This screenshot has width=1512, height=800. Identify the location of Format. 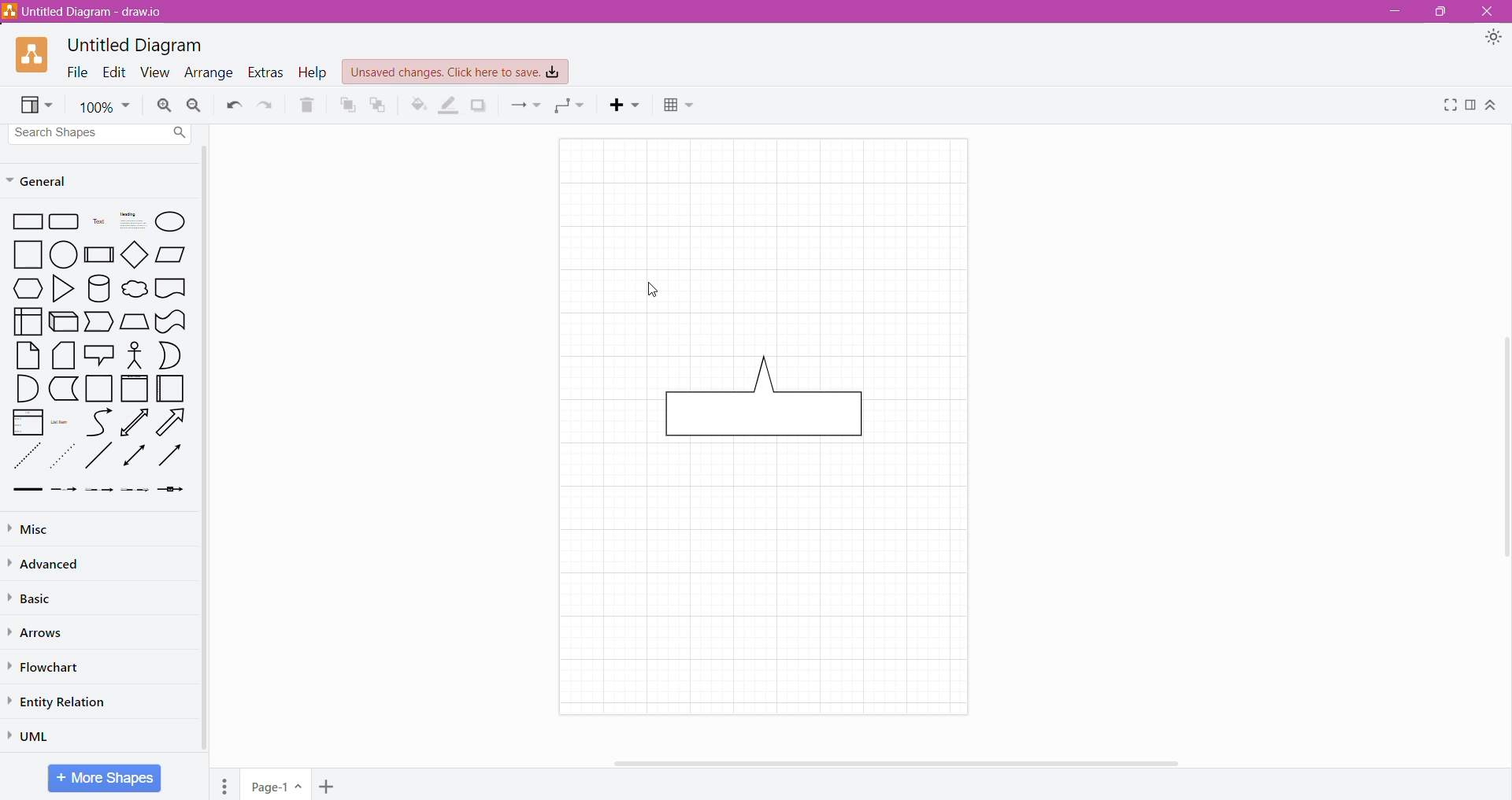
(1470, 106).